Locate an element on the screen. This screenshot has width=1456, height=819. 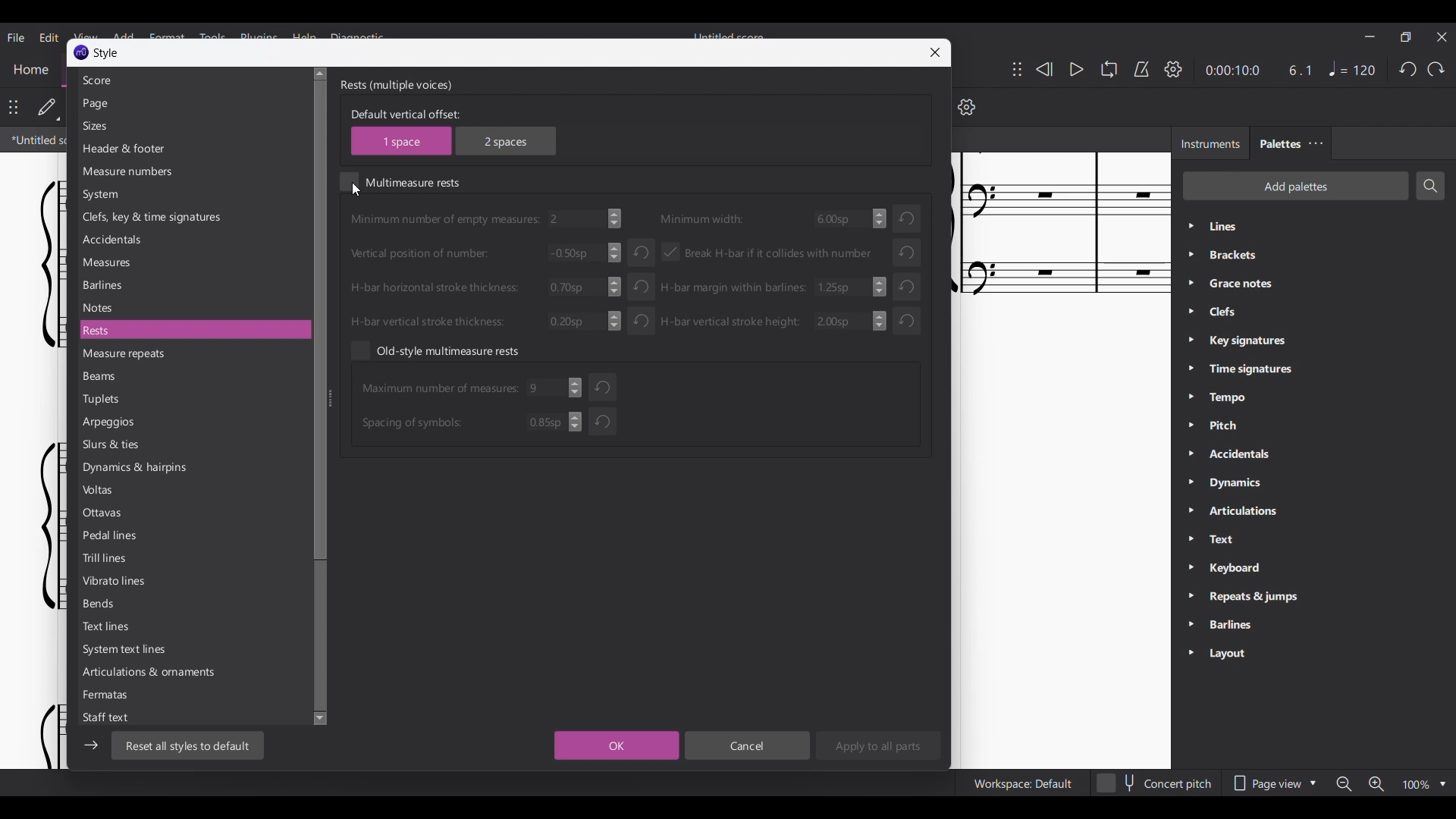
Page view options is located at coordinates (1273, 783).